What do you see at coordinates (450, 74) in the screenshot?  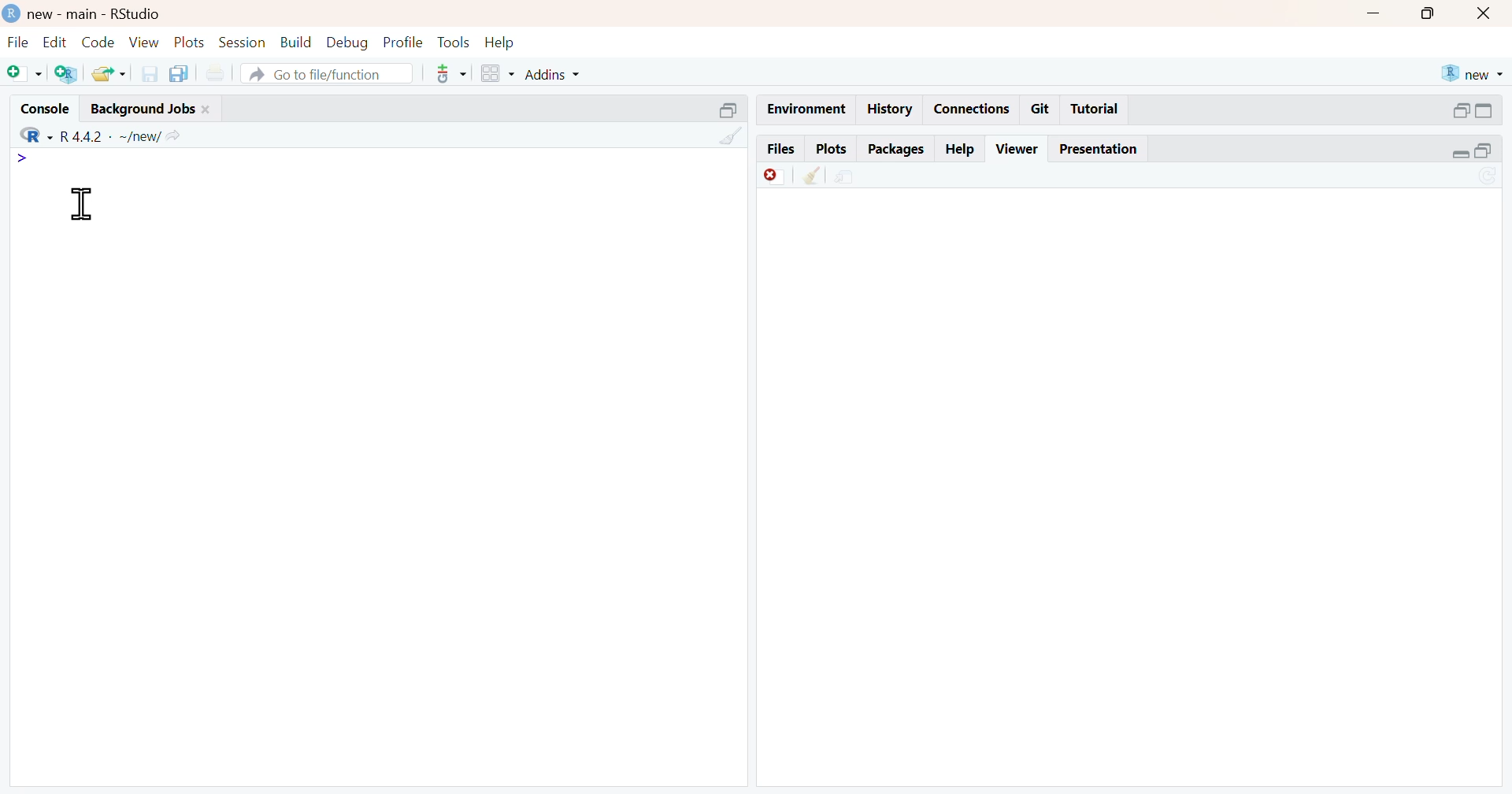 I see `code tools` at bounding box center [450, 74].